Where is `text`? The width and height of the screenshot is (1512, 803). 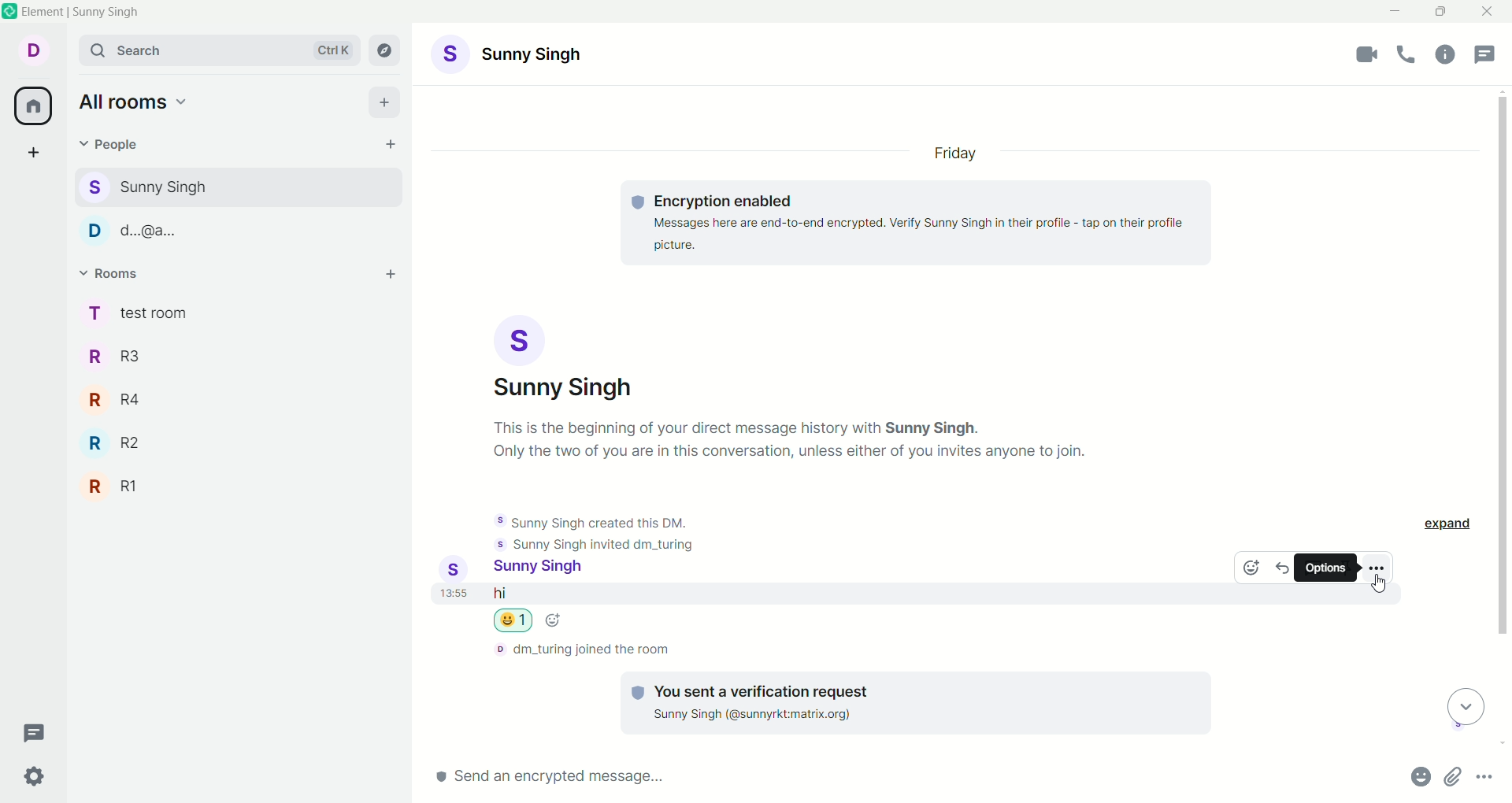
text is located at coordinates (905, 702).